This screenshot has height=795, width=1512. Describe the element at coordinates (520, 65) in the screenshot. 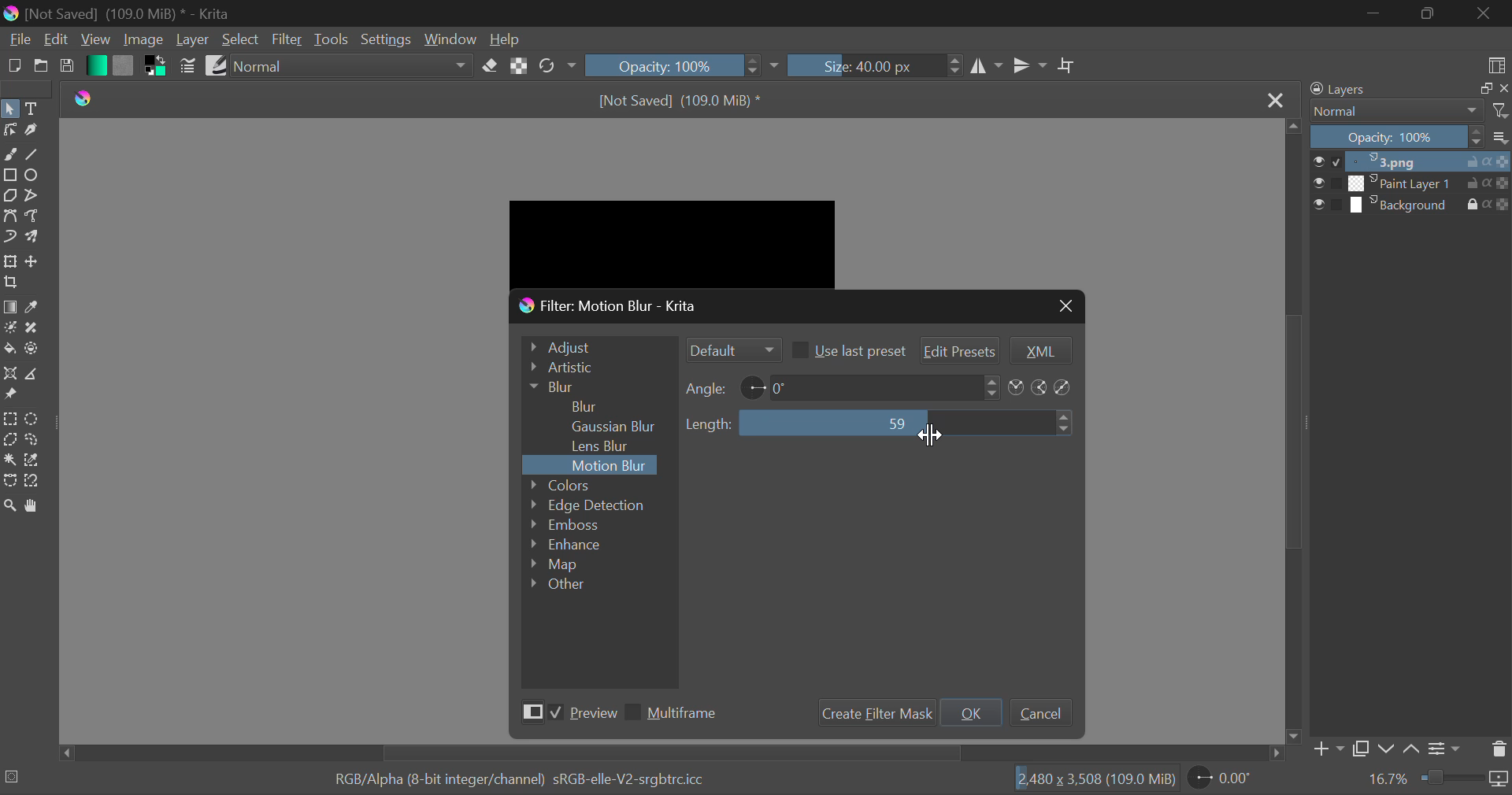

I see `Lock Alpha` at that location.